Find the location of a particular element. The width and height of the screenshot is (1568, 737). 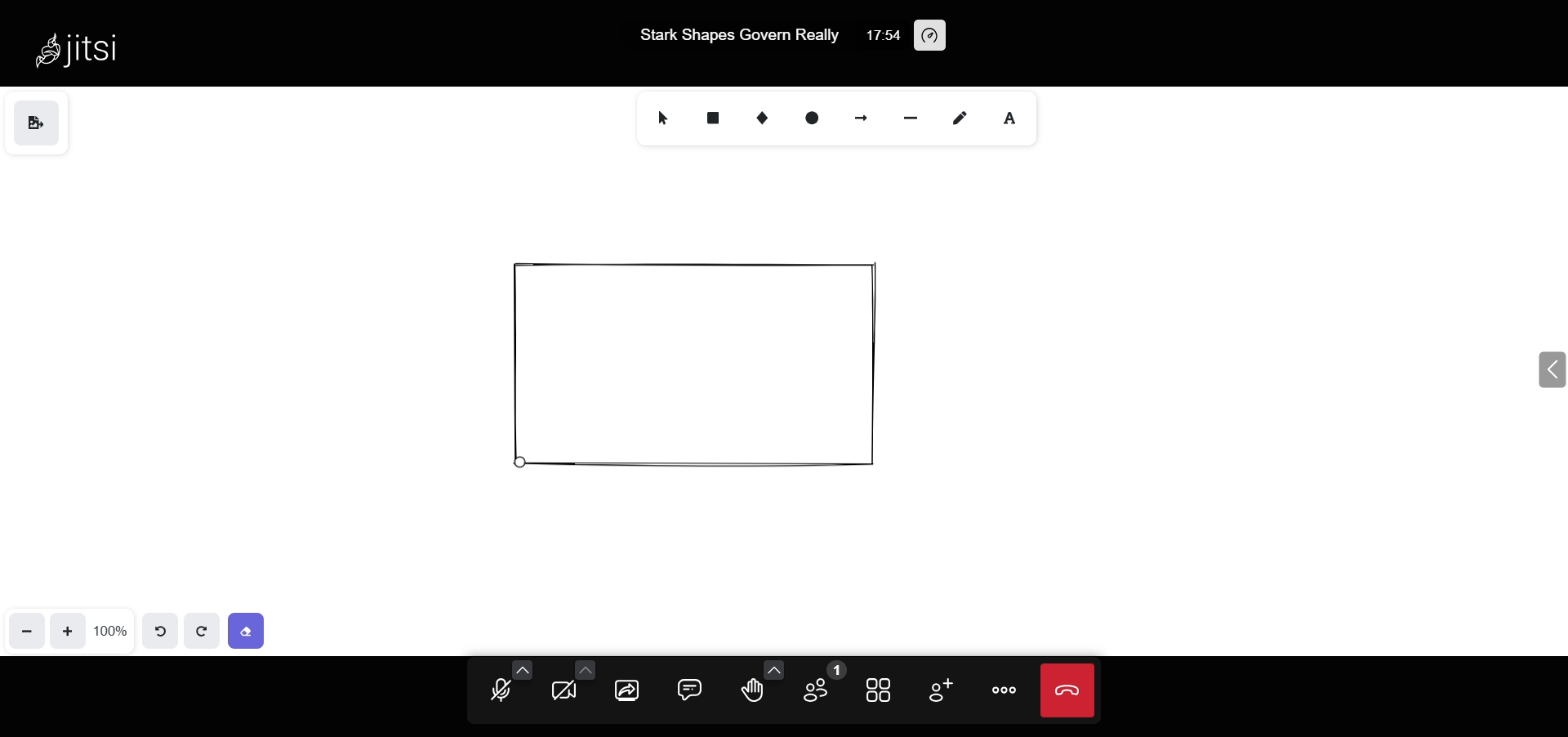

diamond is located at coordinates (764, 119).